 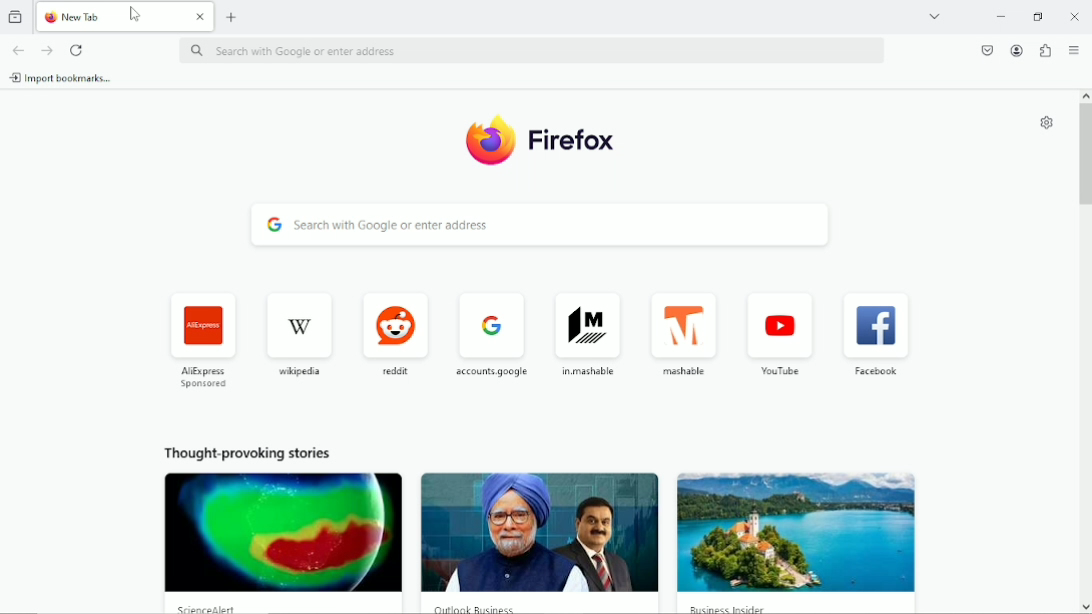 I want to click on Extensions, so click(x=1045, y=51).